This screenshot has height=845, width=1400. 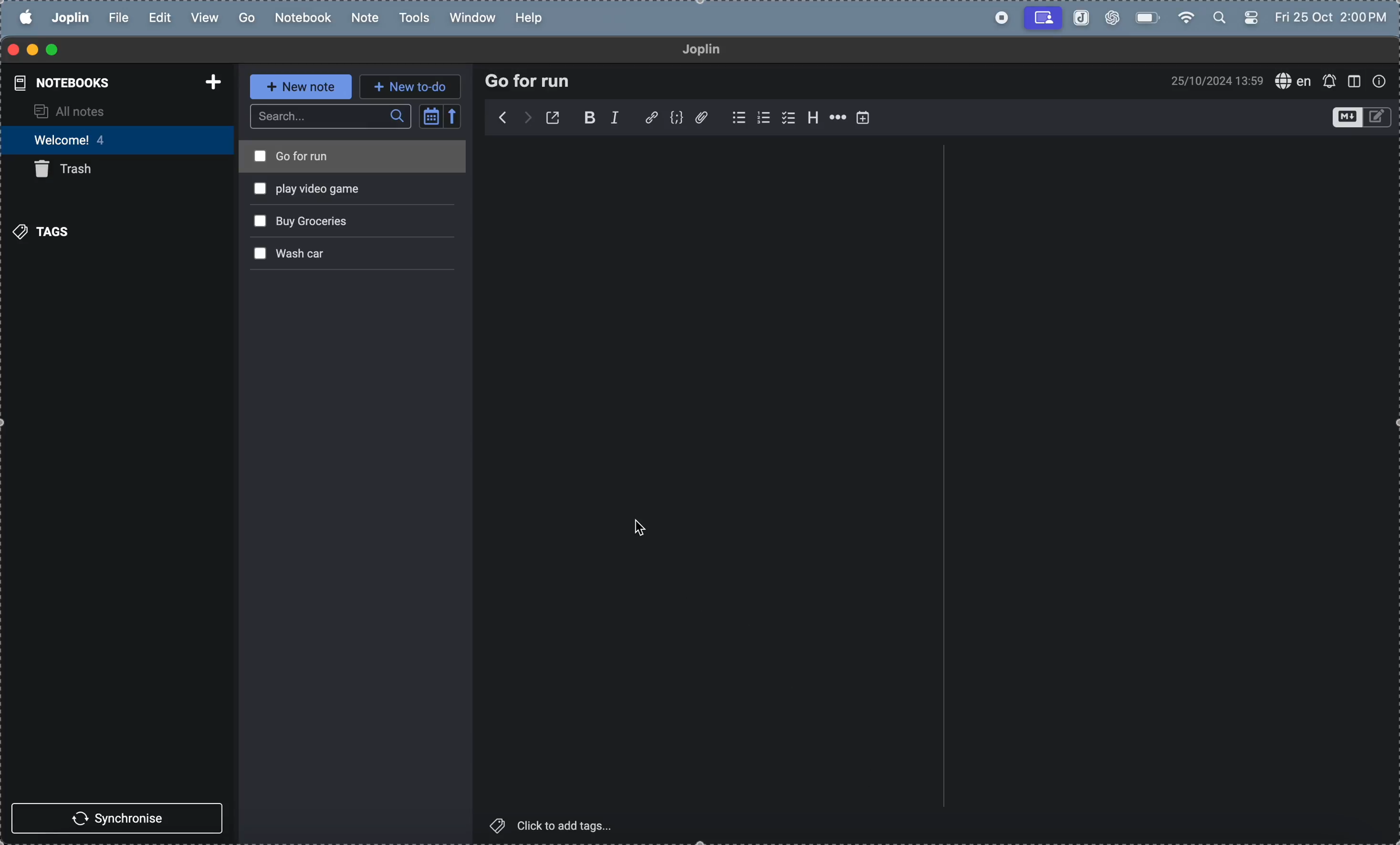 I want to click on welcome 1, so click(x=120, y=140).